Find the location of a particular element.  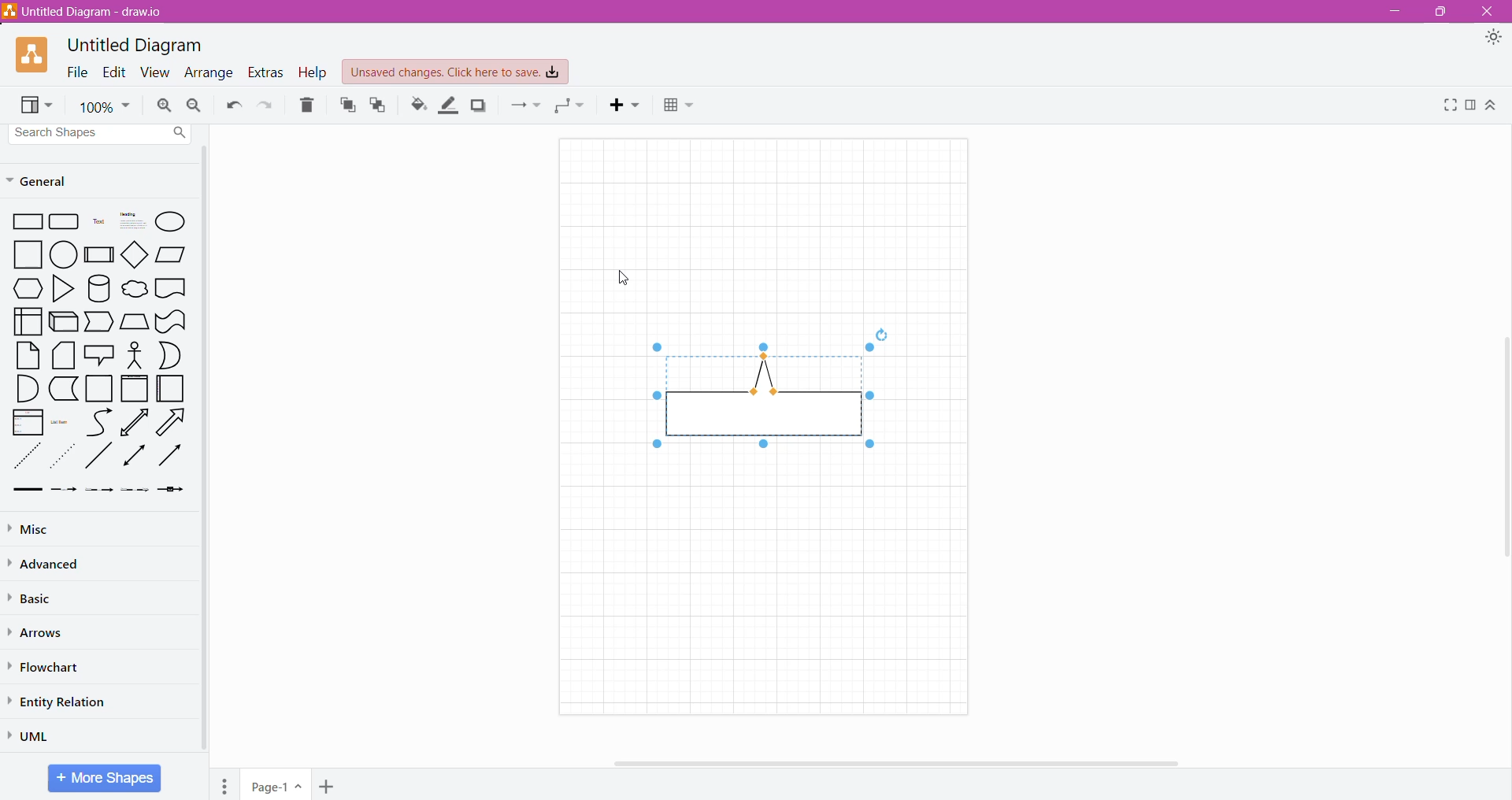

Right Diagonal Arrow is located at coordinates (173, 421).